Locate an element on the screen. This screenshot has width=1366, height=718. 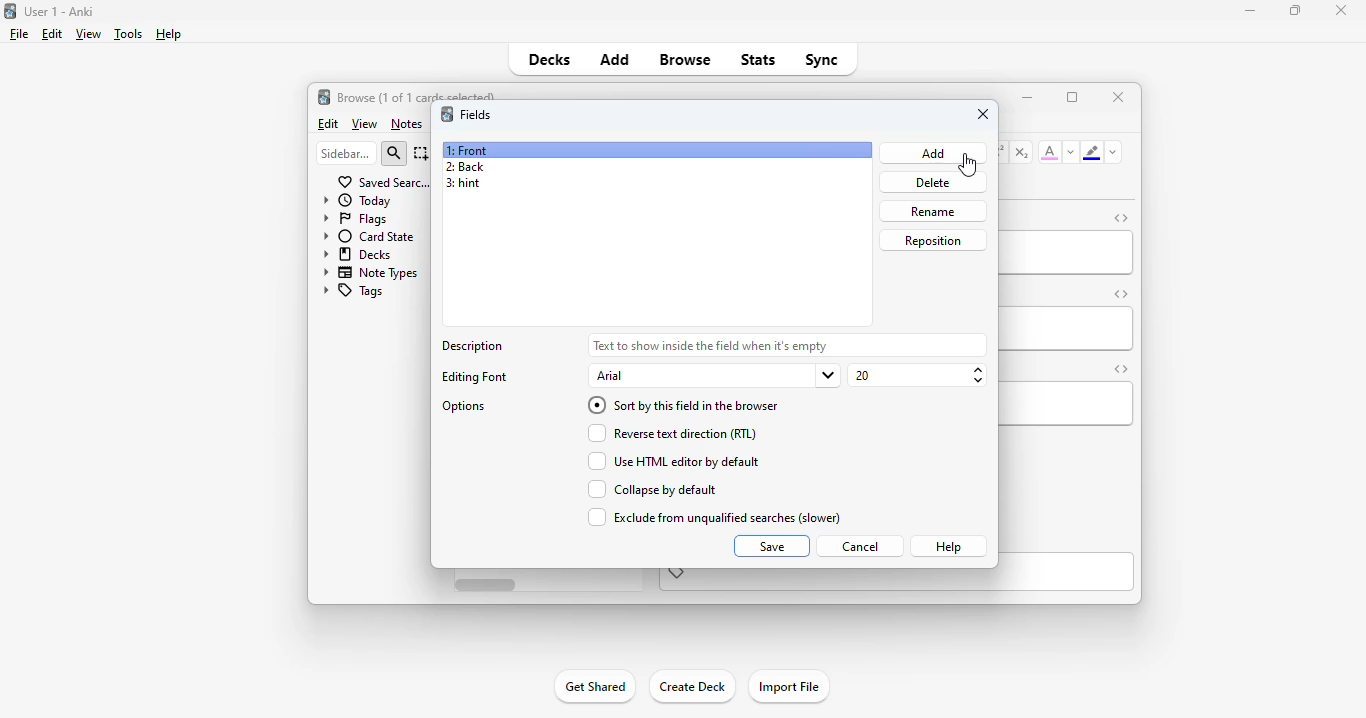
use HTML editor by default is located at coordinates (672, 461).